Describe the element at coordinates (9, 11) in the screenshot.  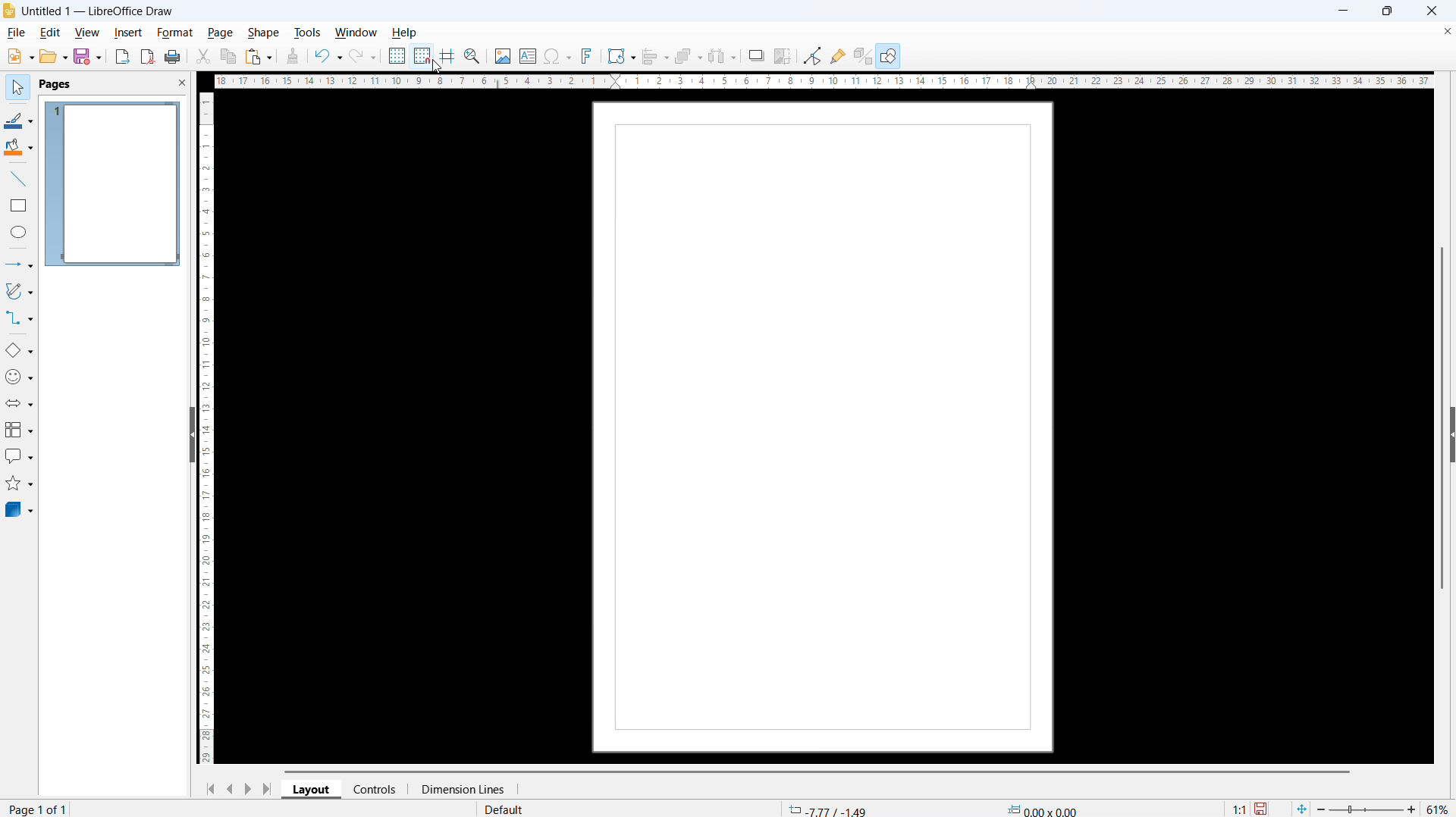
I see `Application icon` at that location.